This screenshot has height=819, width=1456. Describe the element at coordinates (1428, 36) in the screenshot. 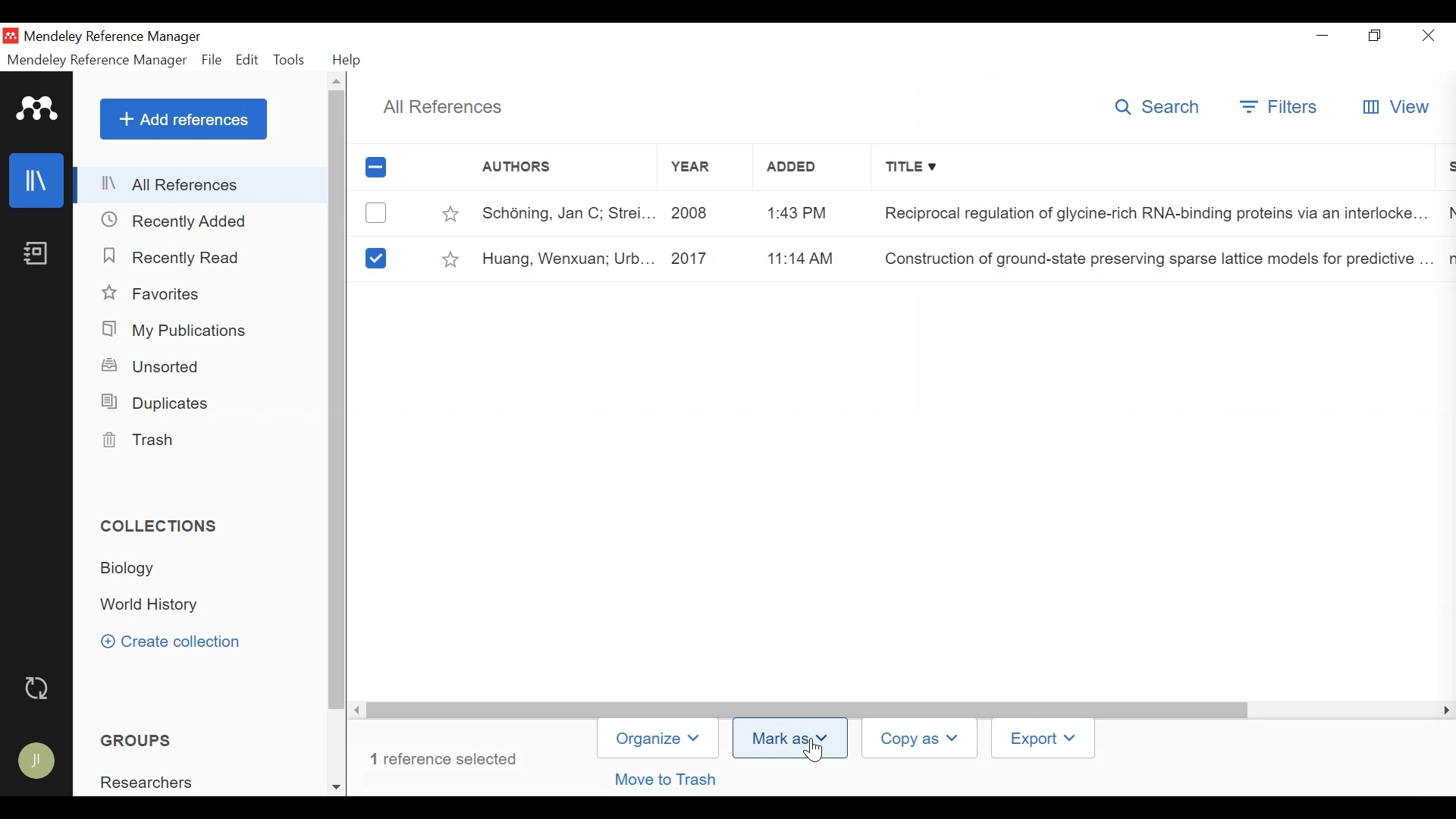

I see `Close` at that location.